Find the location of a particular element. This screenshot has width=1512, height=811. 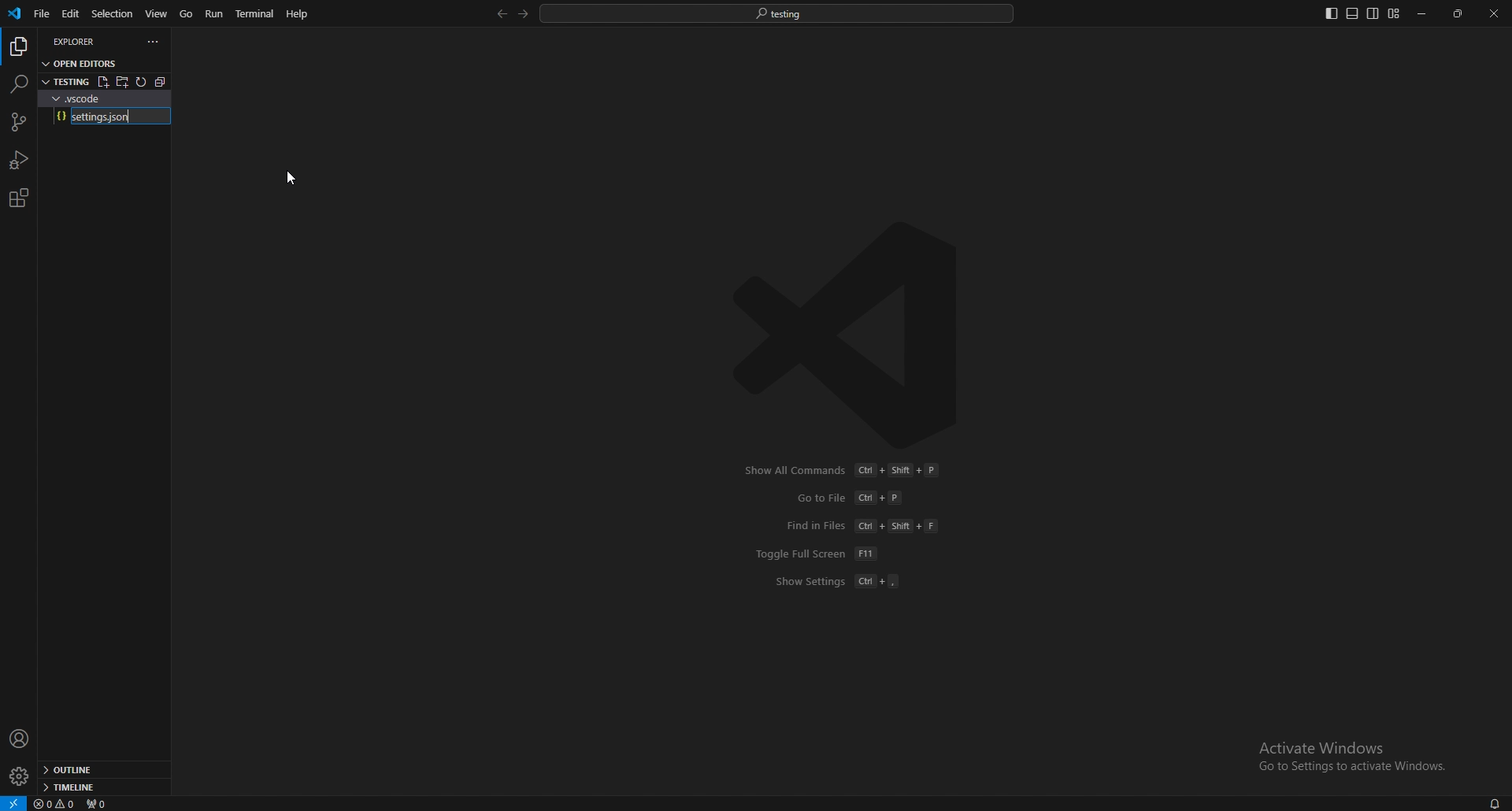

outline is located at coordinates (102, 771).